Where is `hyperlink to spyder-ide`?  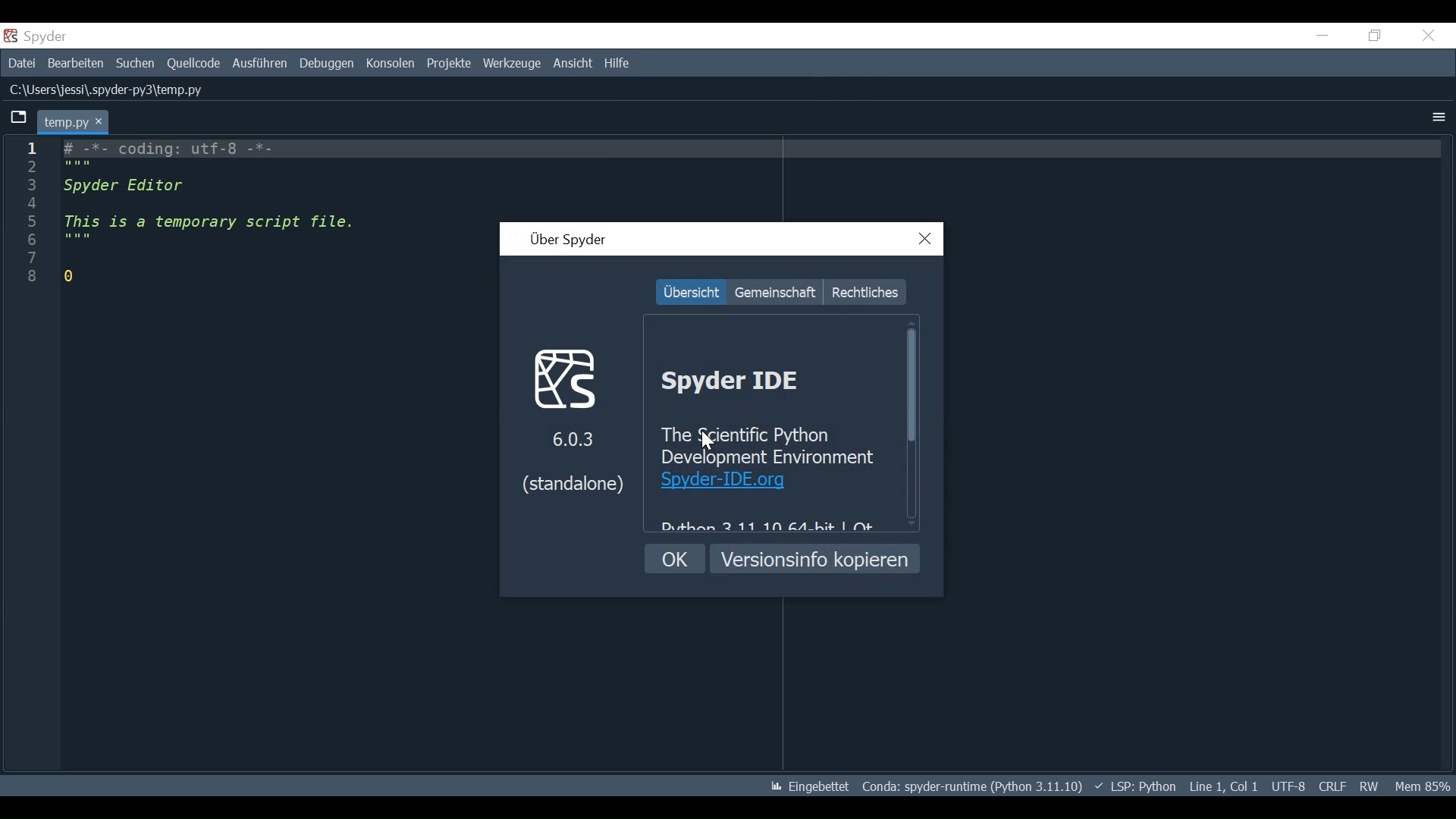
hyperlink to spyder-ide is located at coordinates (724, 481).